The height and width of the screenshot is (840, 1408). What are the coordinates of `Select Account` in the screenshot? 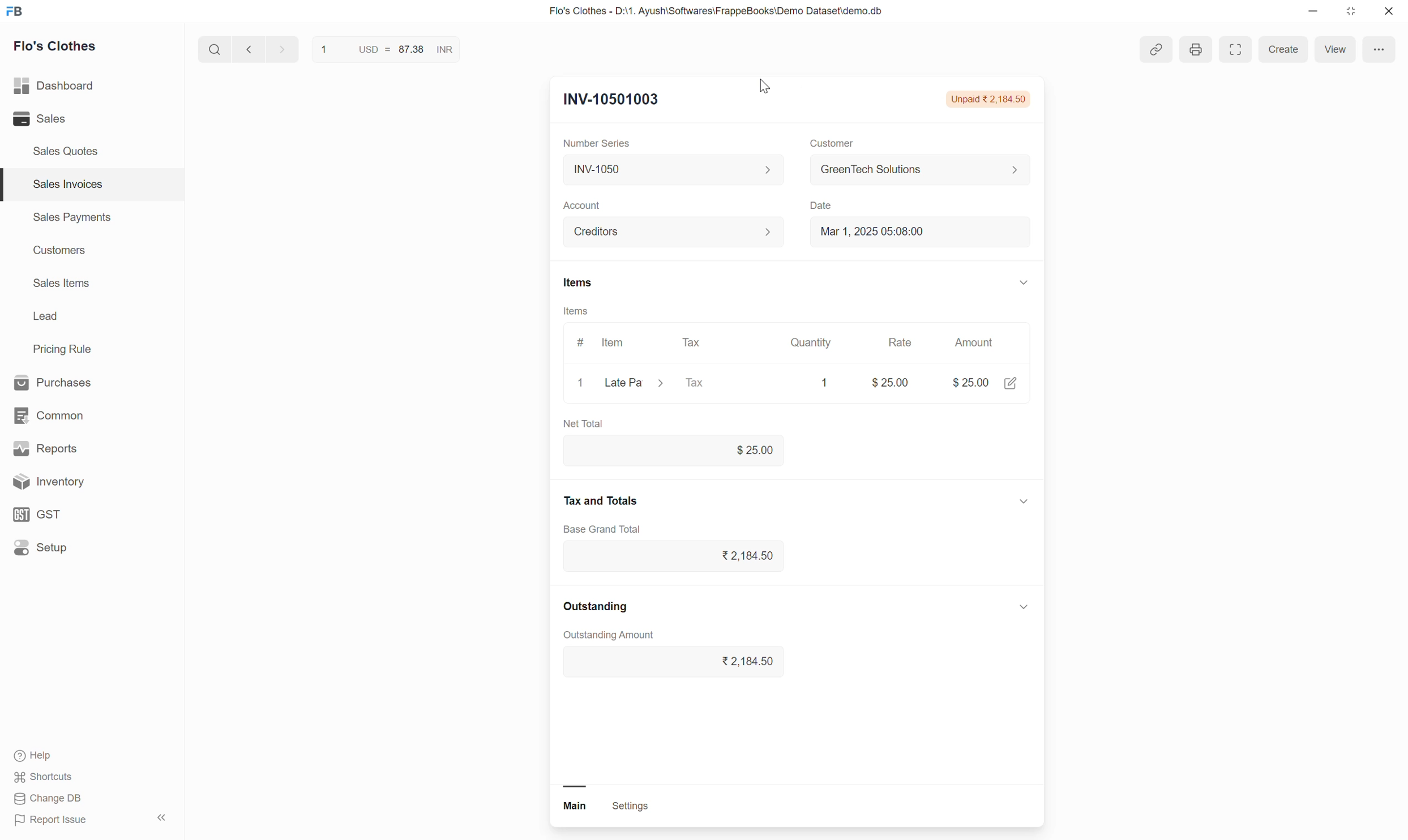 It's located at (666, 235).